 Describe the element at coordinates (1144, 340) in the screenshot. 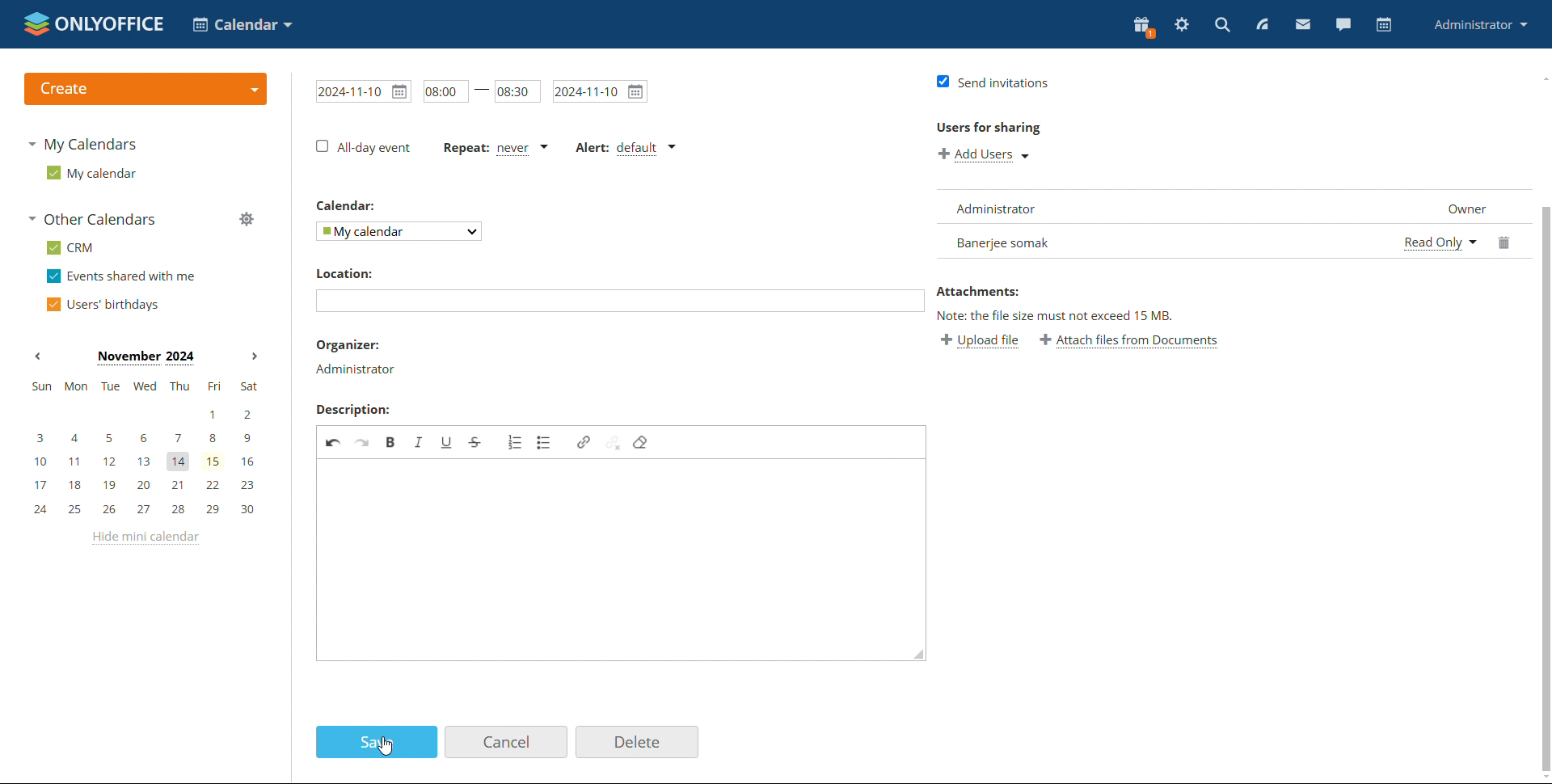

I see `attach files from documents` at that location.